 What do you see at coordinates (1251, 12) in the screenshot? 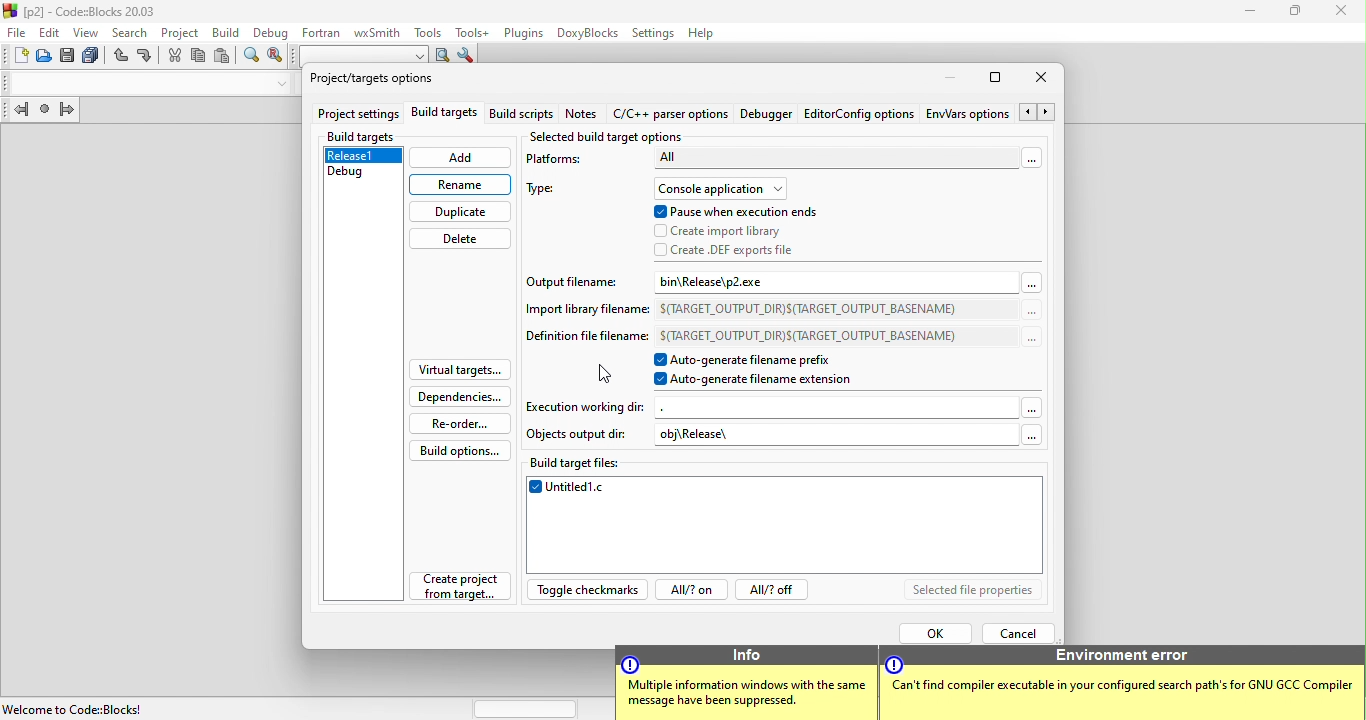
I see `minimize` at bounding box center [1251, 12].